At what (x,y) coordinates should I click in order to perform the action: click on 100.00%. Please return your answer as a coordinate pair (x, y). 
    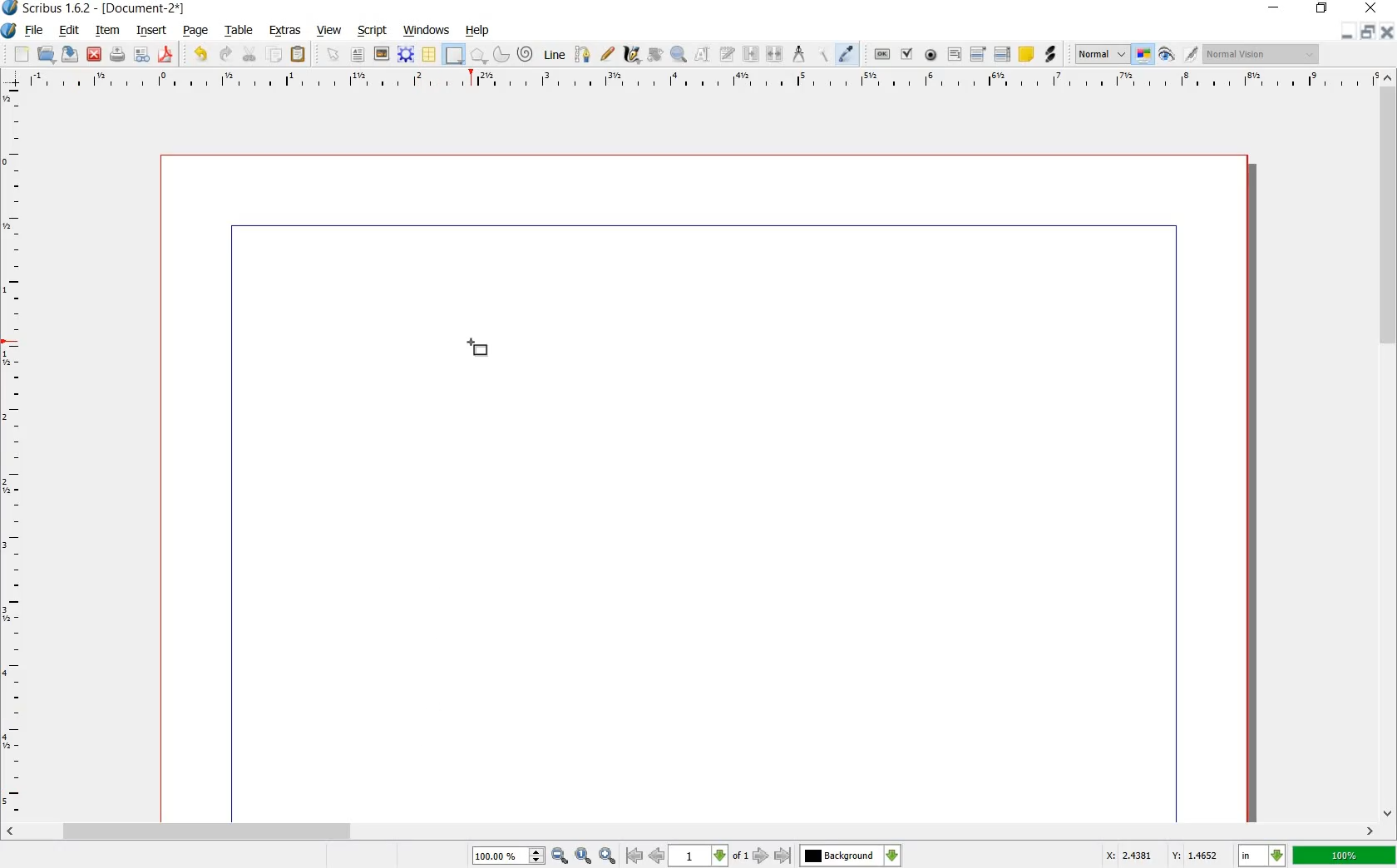
    Looking at the image, I should click on (509, 856).